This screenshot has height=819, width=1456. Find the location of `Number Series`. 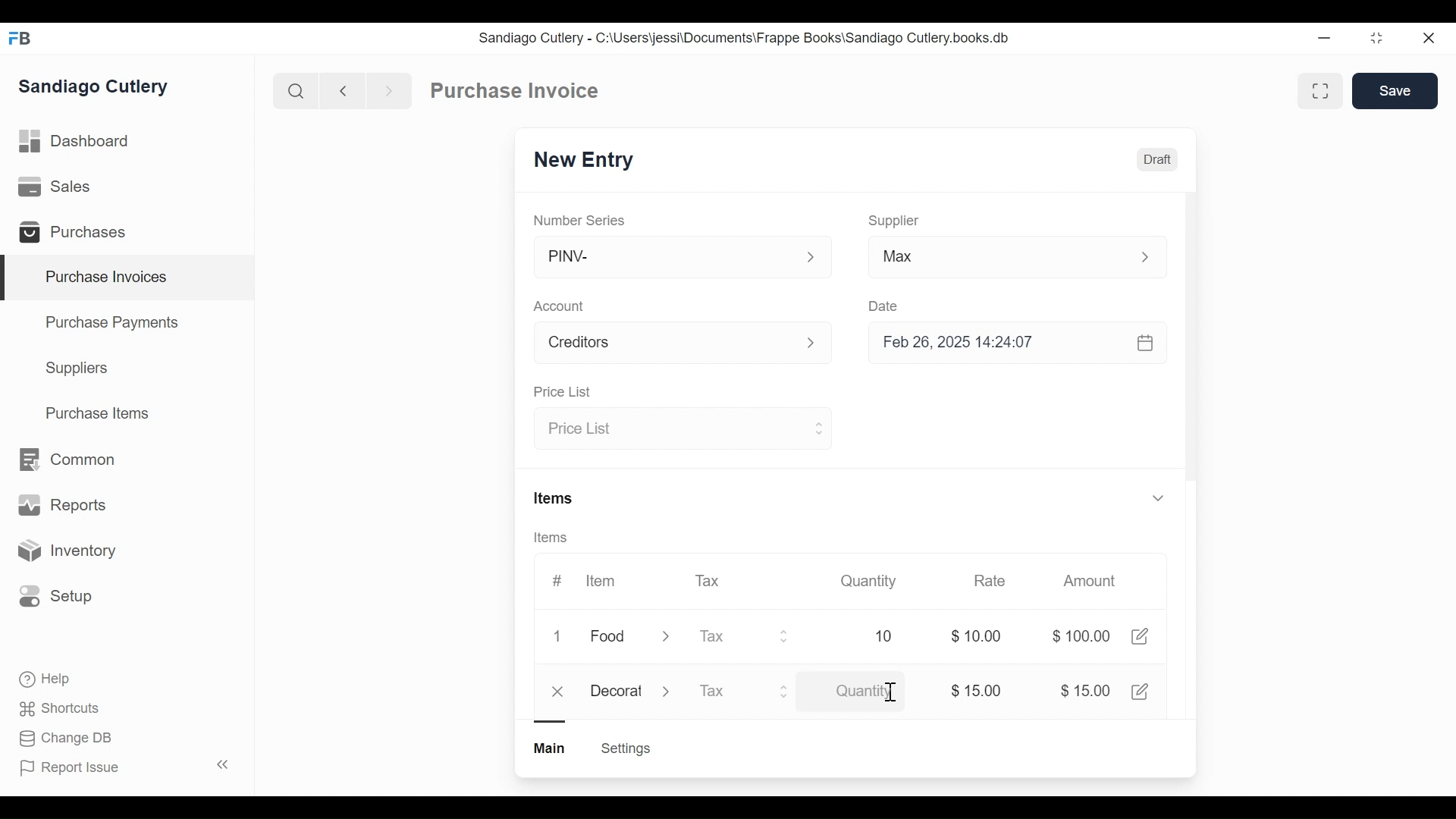

Number Series is located at coordinates (581, 220).